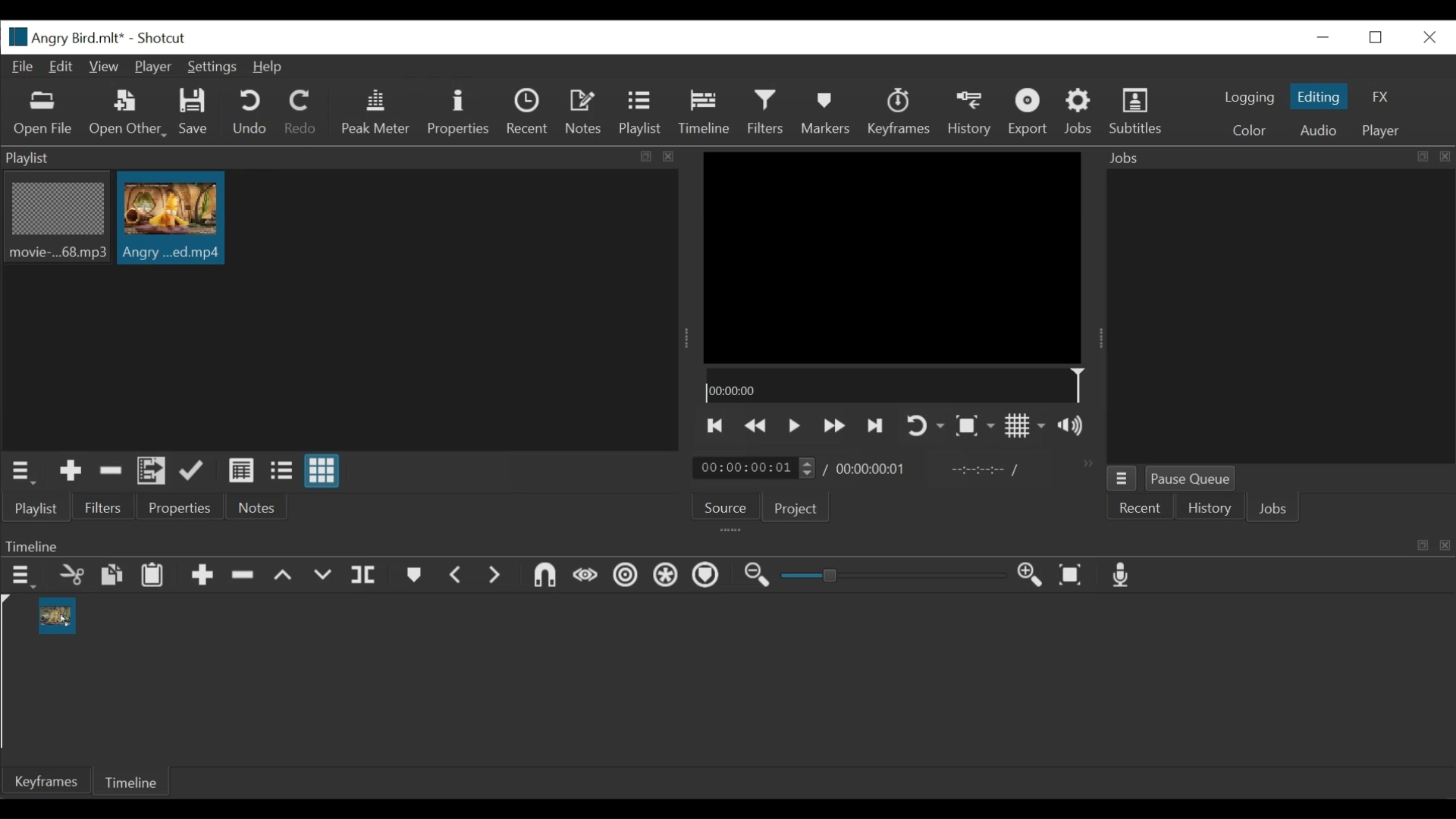  What do you see at coordinates (726, 505) in the screenshot?
I see `Source` at bounding box center [726, 505].